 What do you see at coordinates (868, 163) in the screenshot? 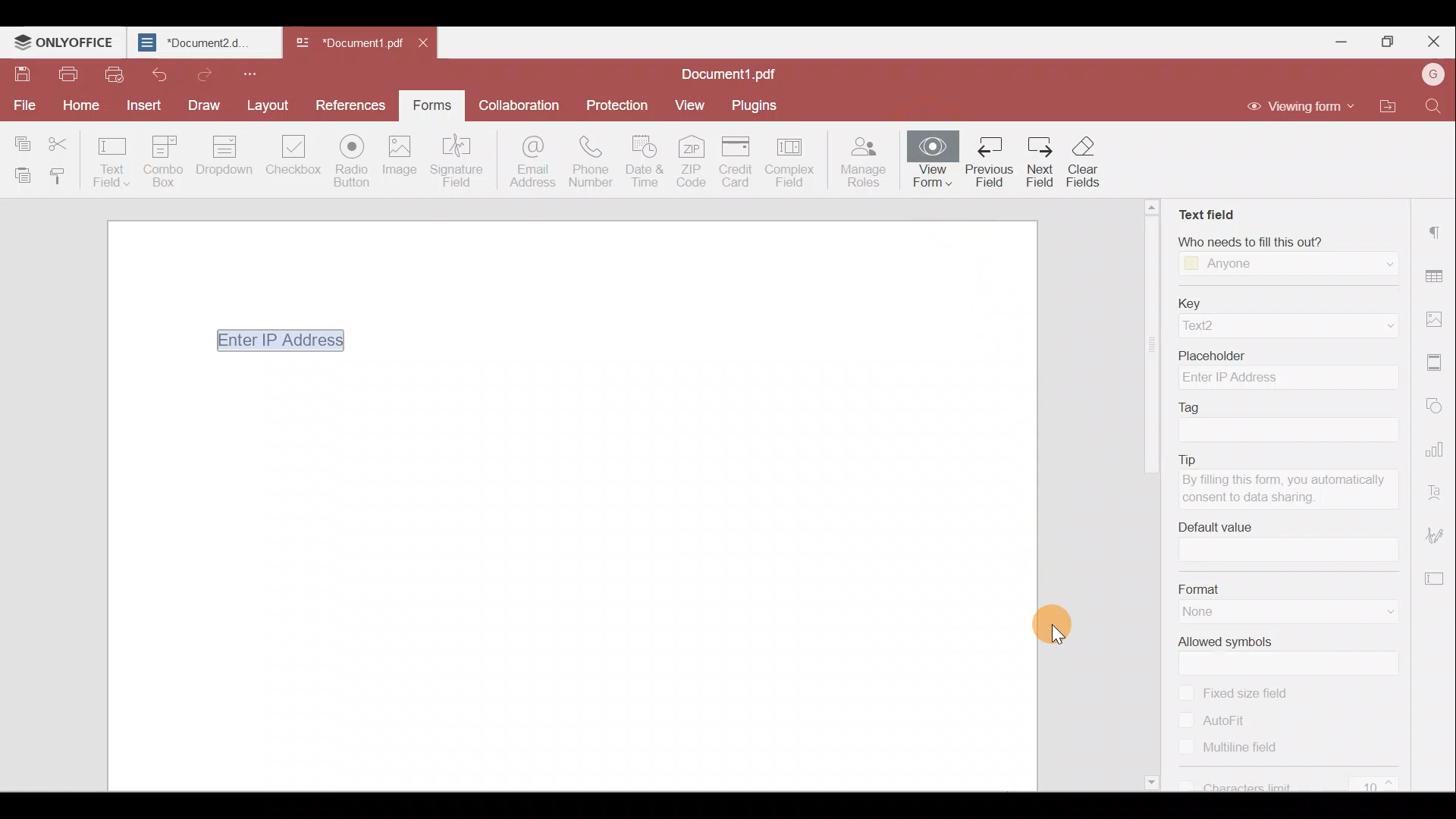
I see `Manage roles` at bounding box center [868, 163].